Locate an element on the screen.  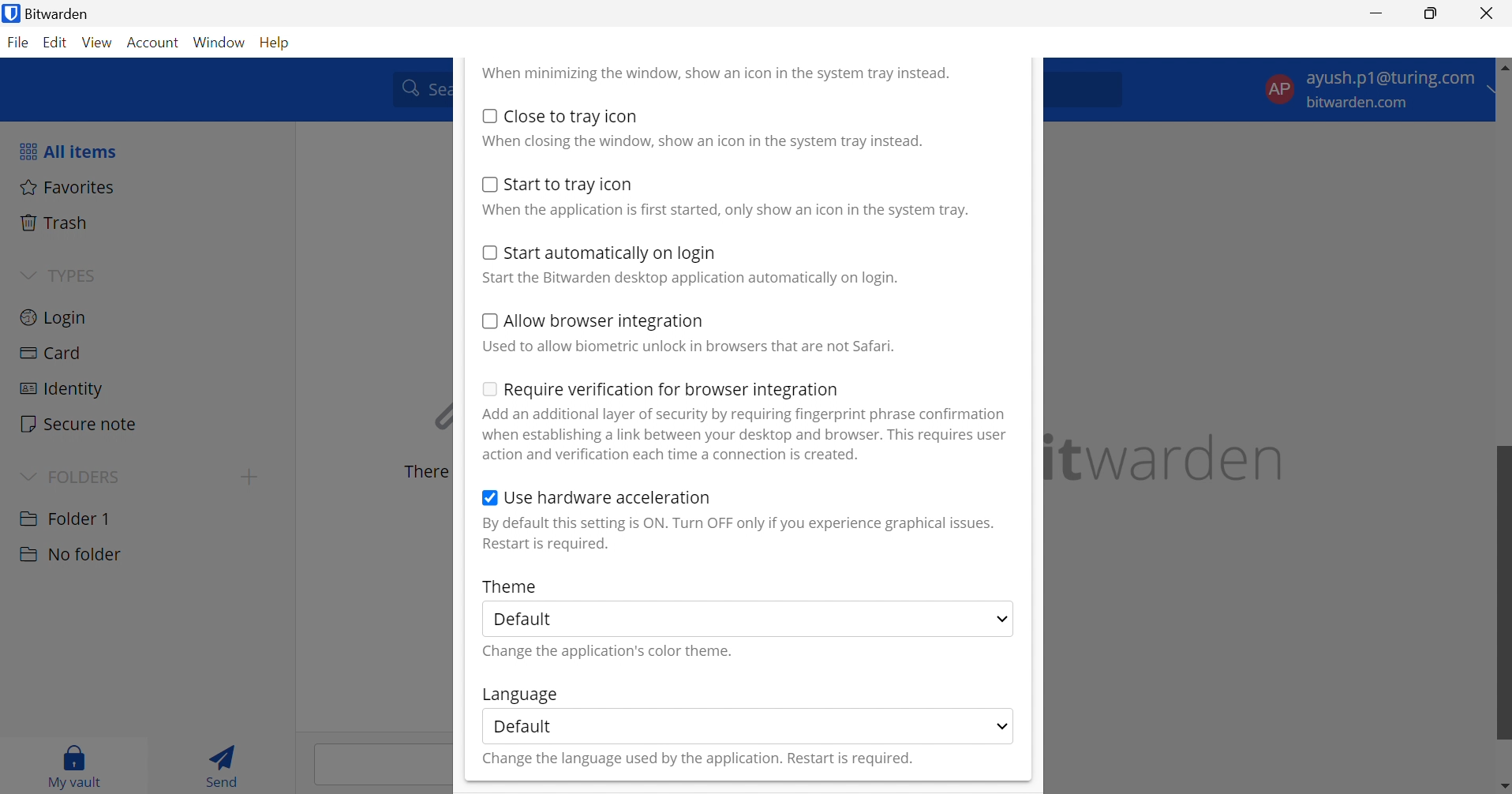
File is located at coordinates (21, 43).